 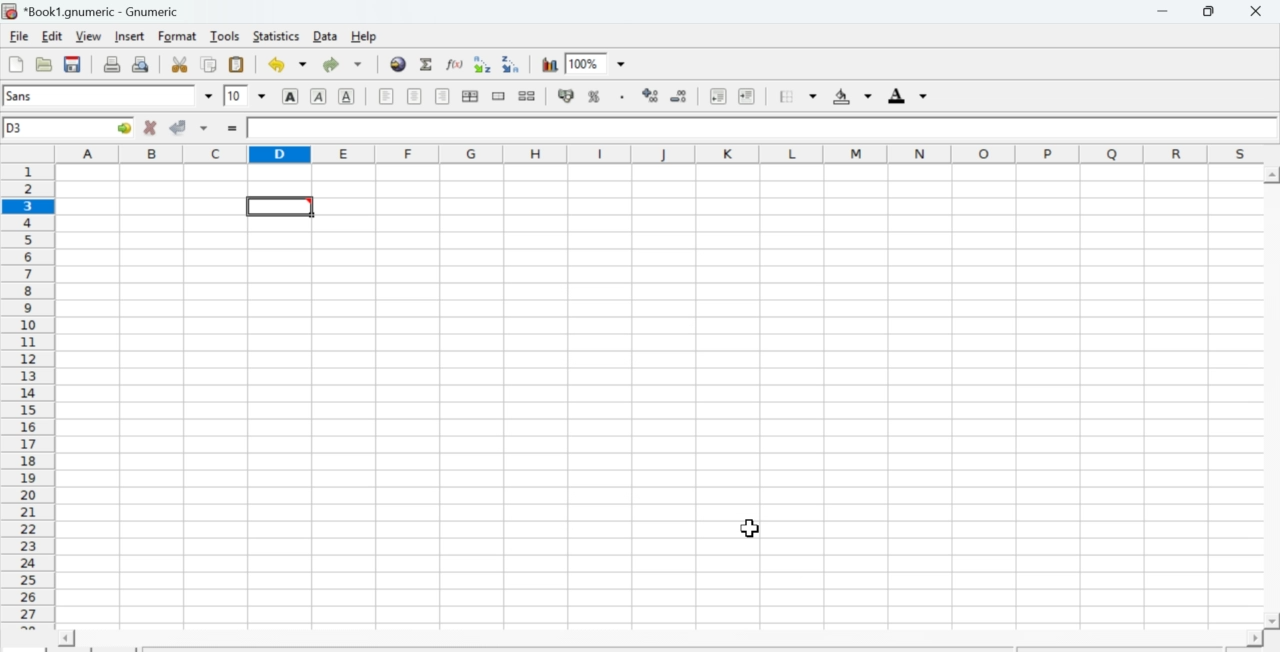 What do you see at coordinates (88, 35) in the screenshot?
I see `View` at bounding box center [88, 35].